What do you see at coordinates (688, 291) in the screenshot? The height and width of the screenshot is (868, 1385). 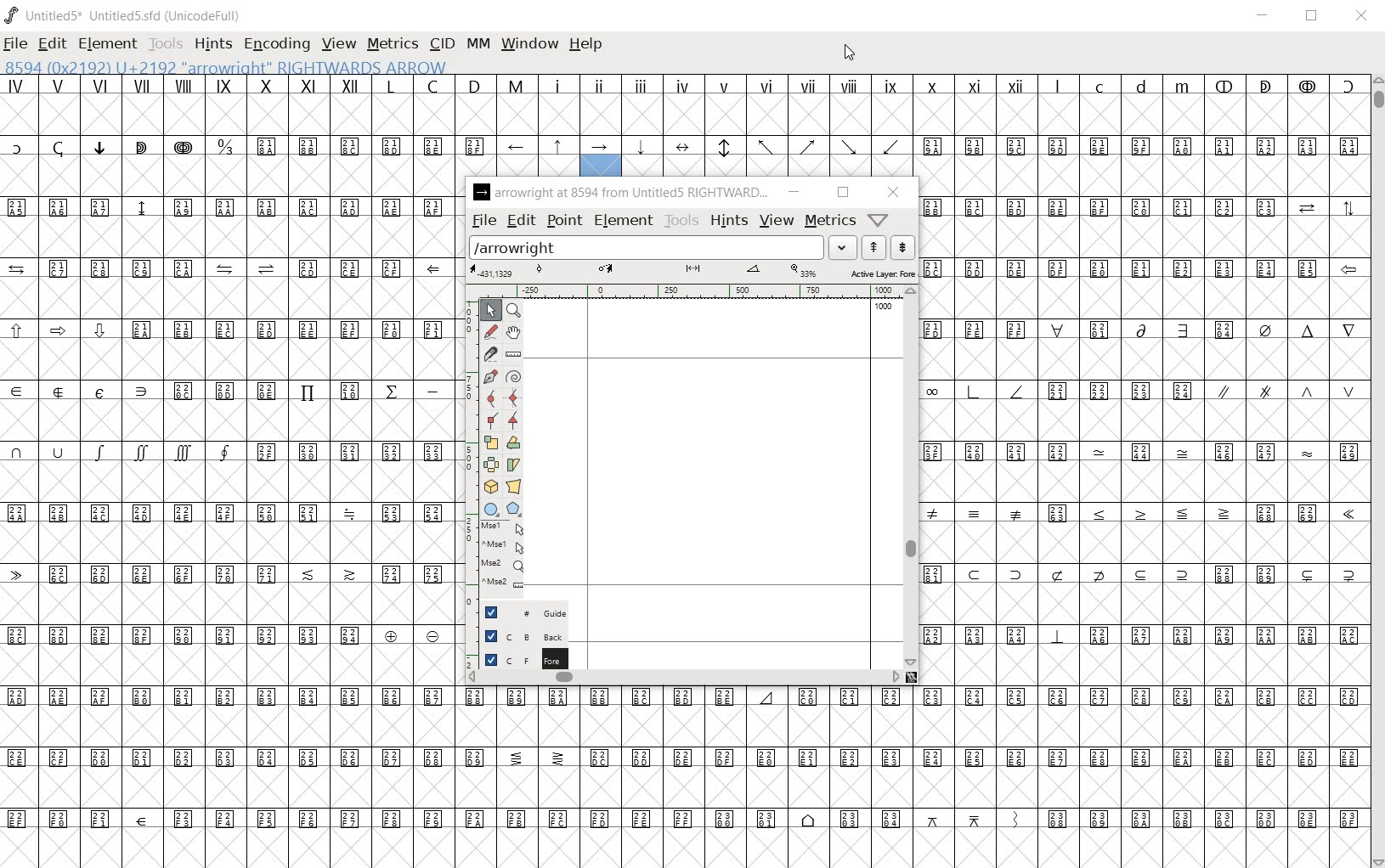 I see `ruler` at bounding box center [688, 291].